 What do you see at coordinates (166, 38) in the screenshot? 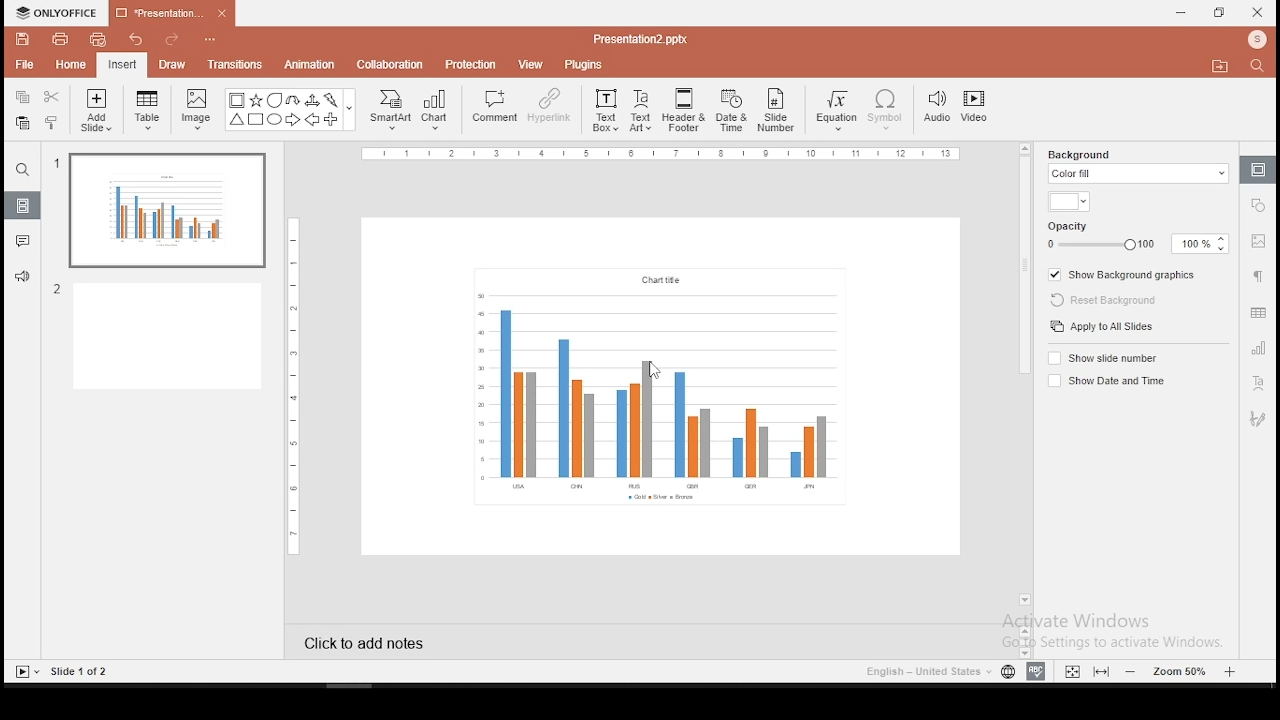
I see `redo` at bounding box center [166, 38].